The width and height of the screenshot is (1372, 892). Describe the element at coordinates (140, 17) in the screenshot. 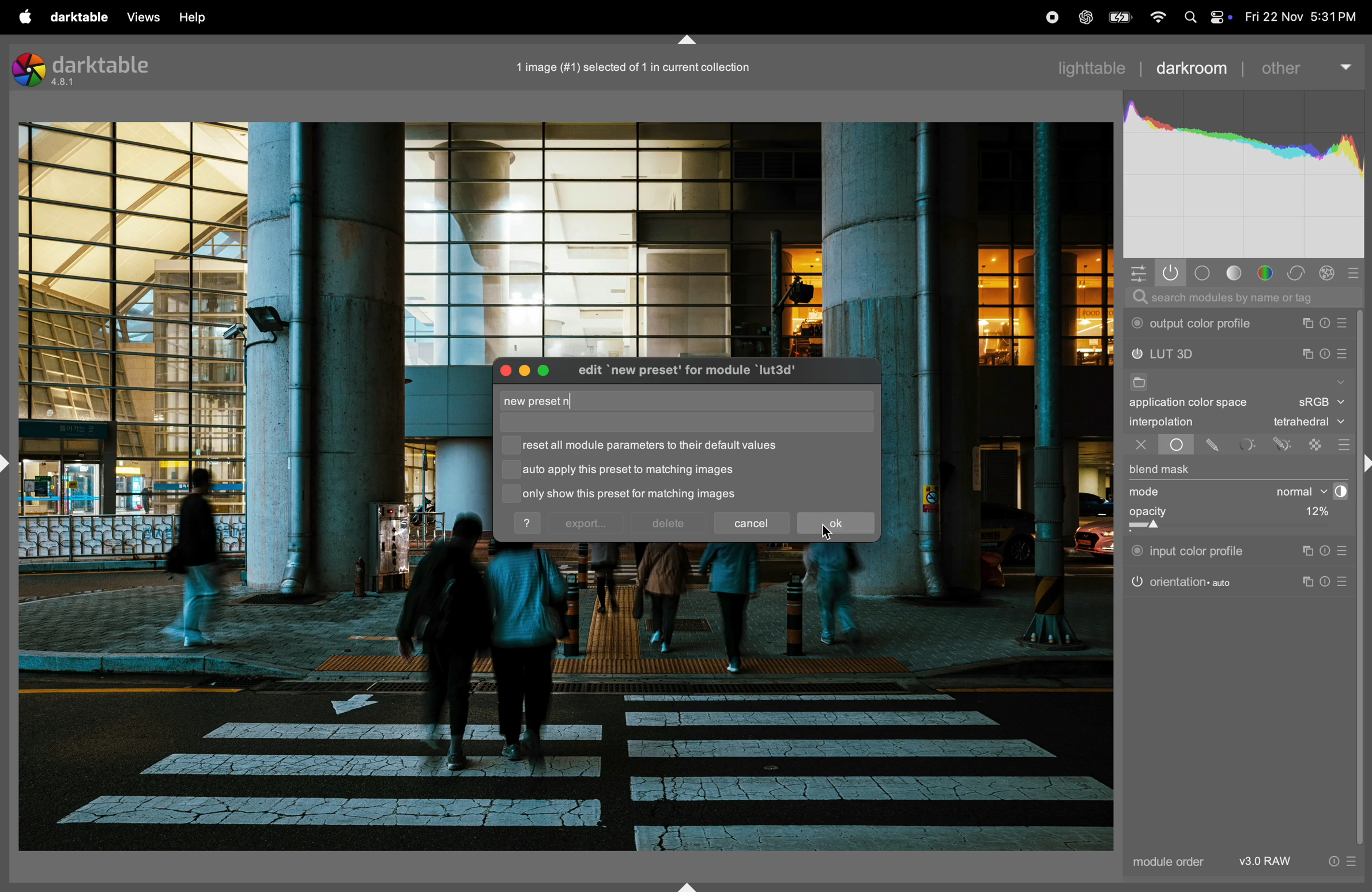

I see `views` at that location.